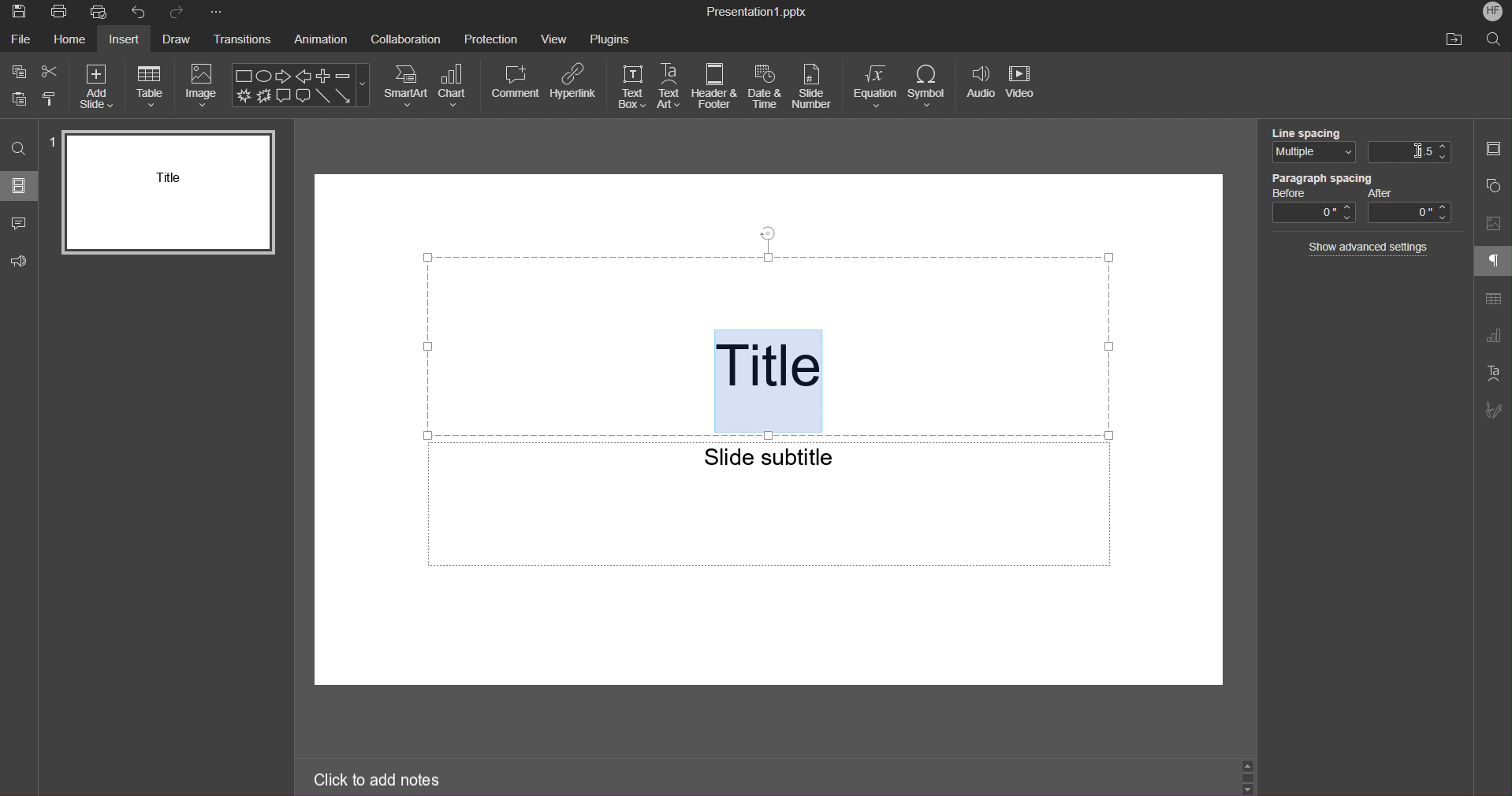 The width and height of the screenshot is (1512, 796). I want to click on Paragraph Settings, so click(1492, 262).